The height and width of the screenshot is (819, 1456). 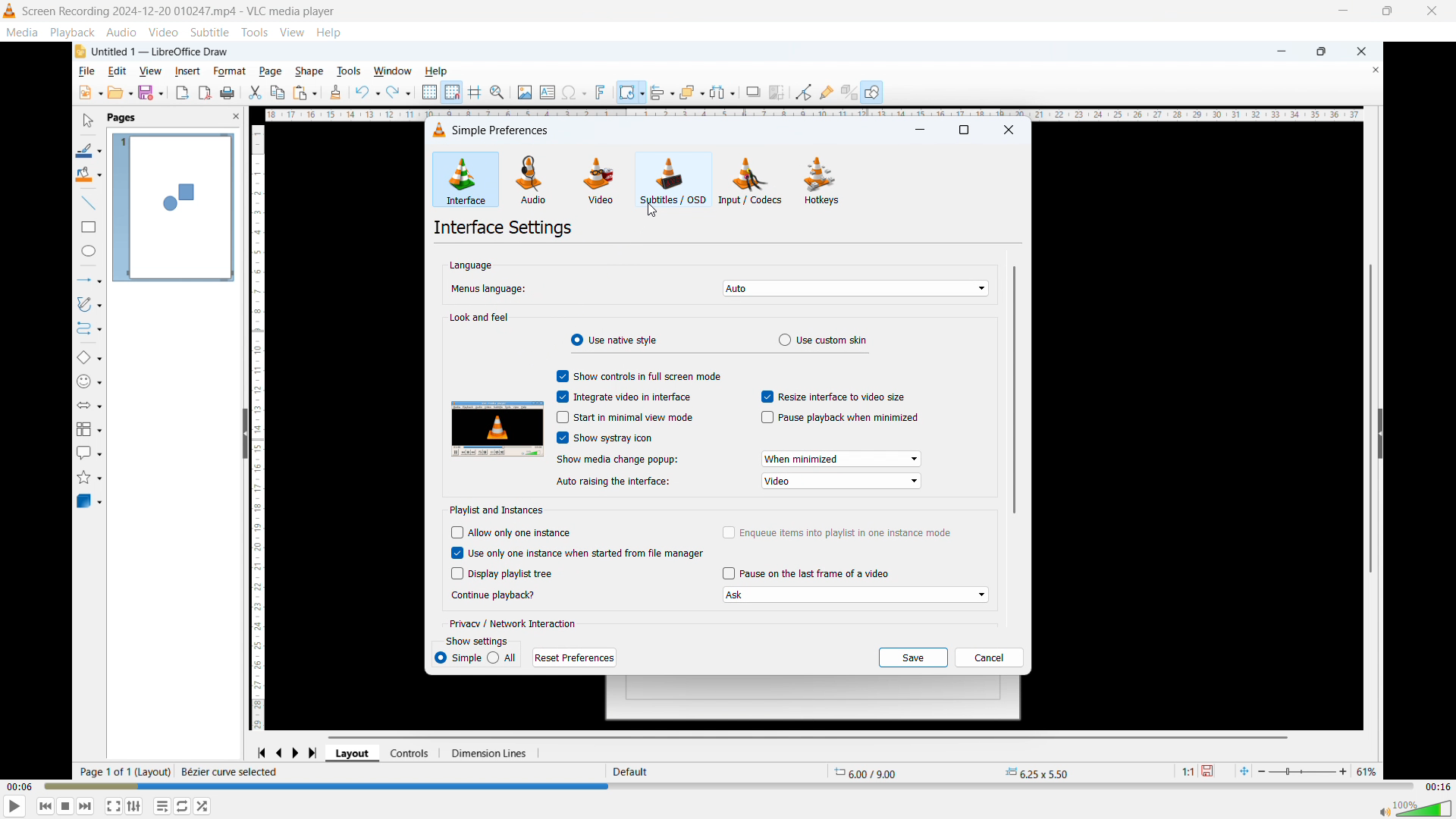 What do you see at coordinates (1341, 12) in the screenshot?
I see `minimise ` at bounding box center [1341, 12].